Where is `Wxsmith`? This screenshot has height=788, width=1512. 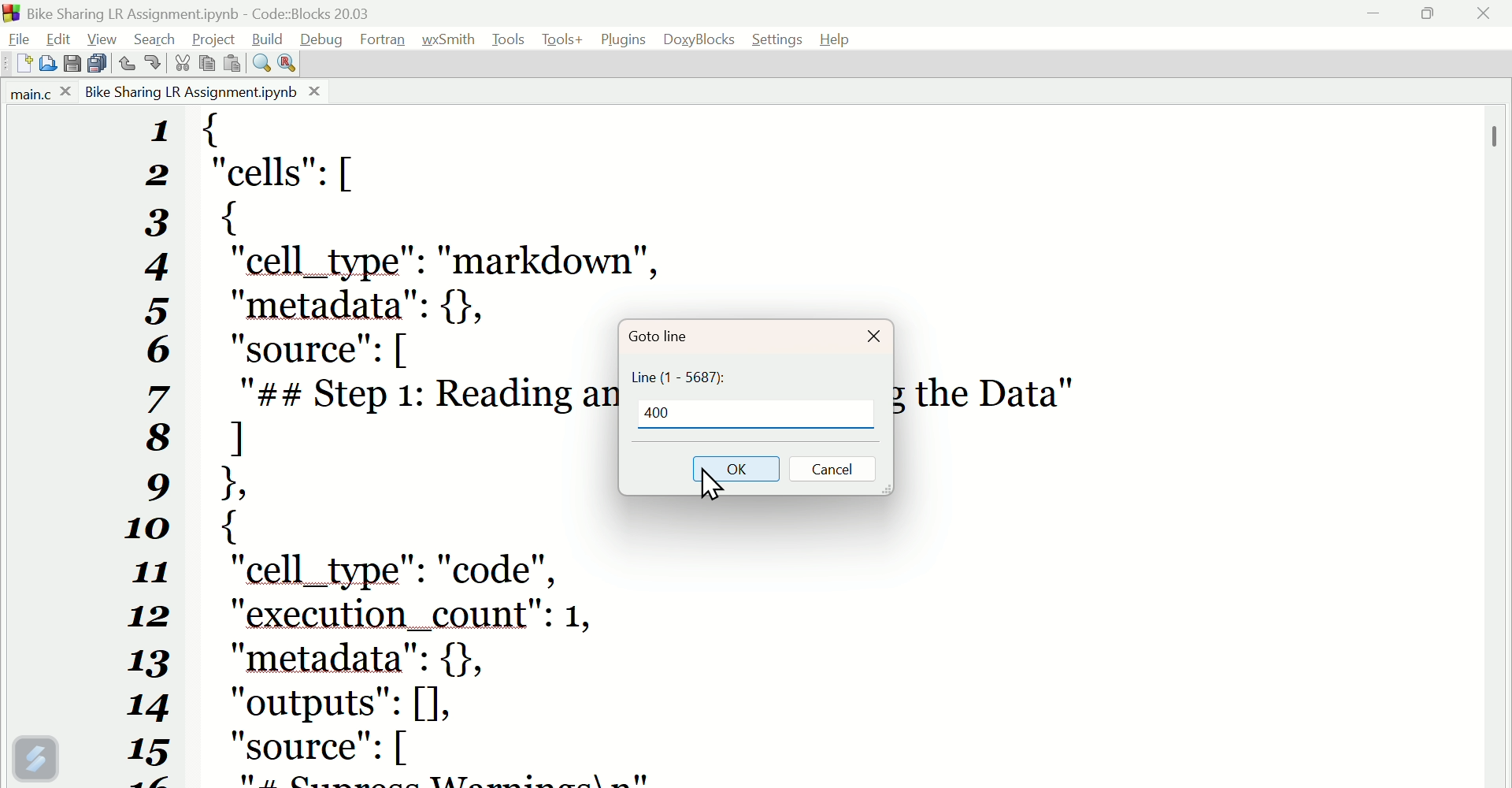
Wxsmith is located at coordinates (449, 39).